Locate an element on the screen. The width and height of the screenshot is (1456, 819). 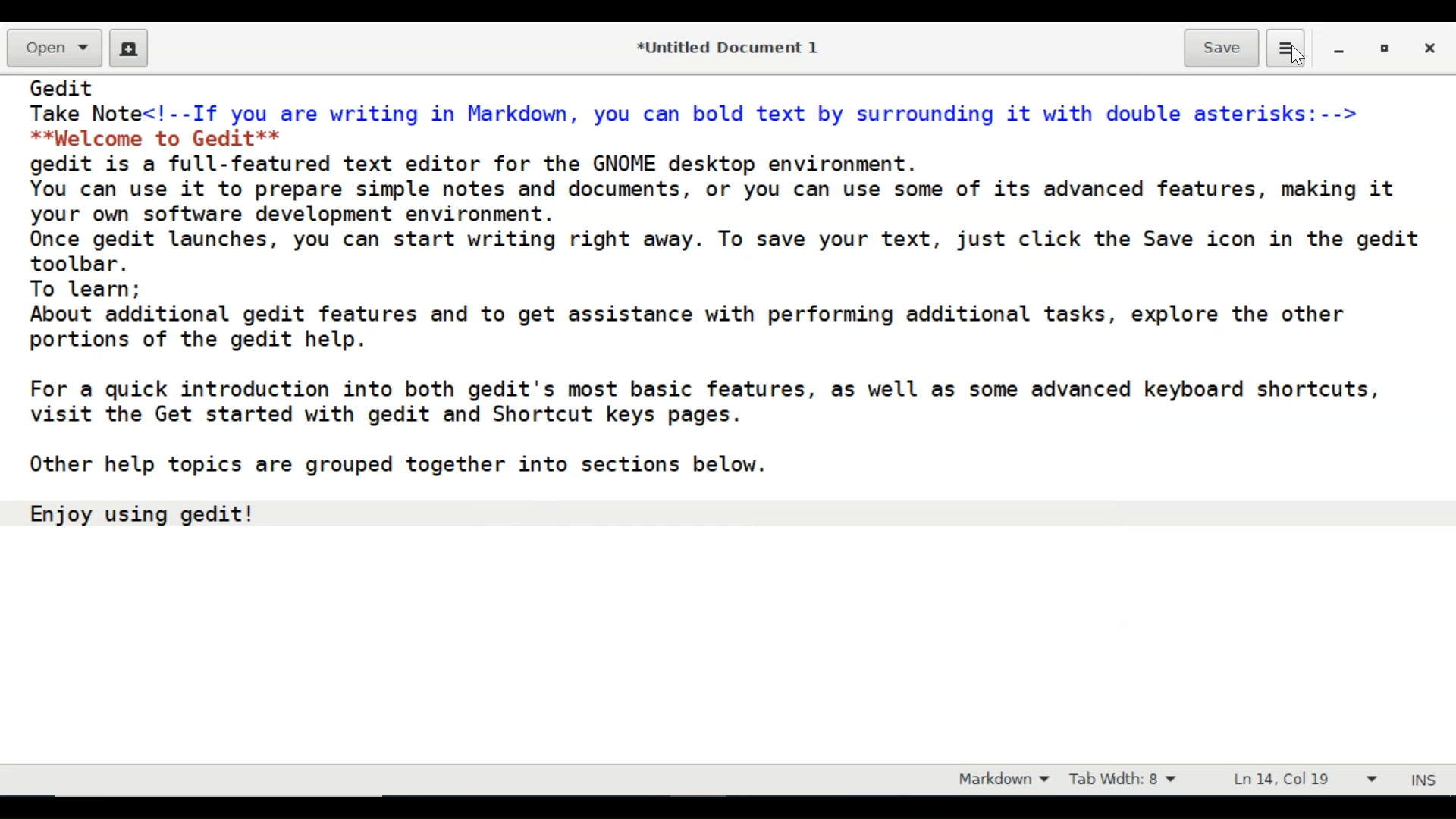
**palcome to Gedit** is located at coordinates (162, 137).